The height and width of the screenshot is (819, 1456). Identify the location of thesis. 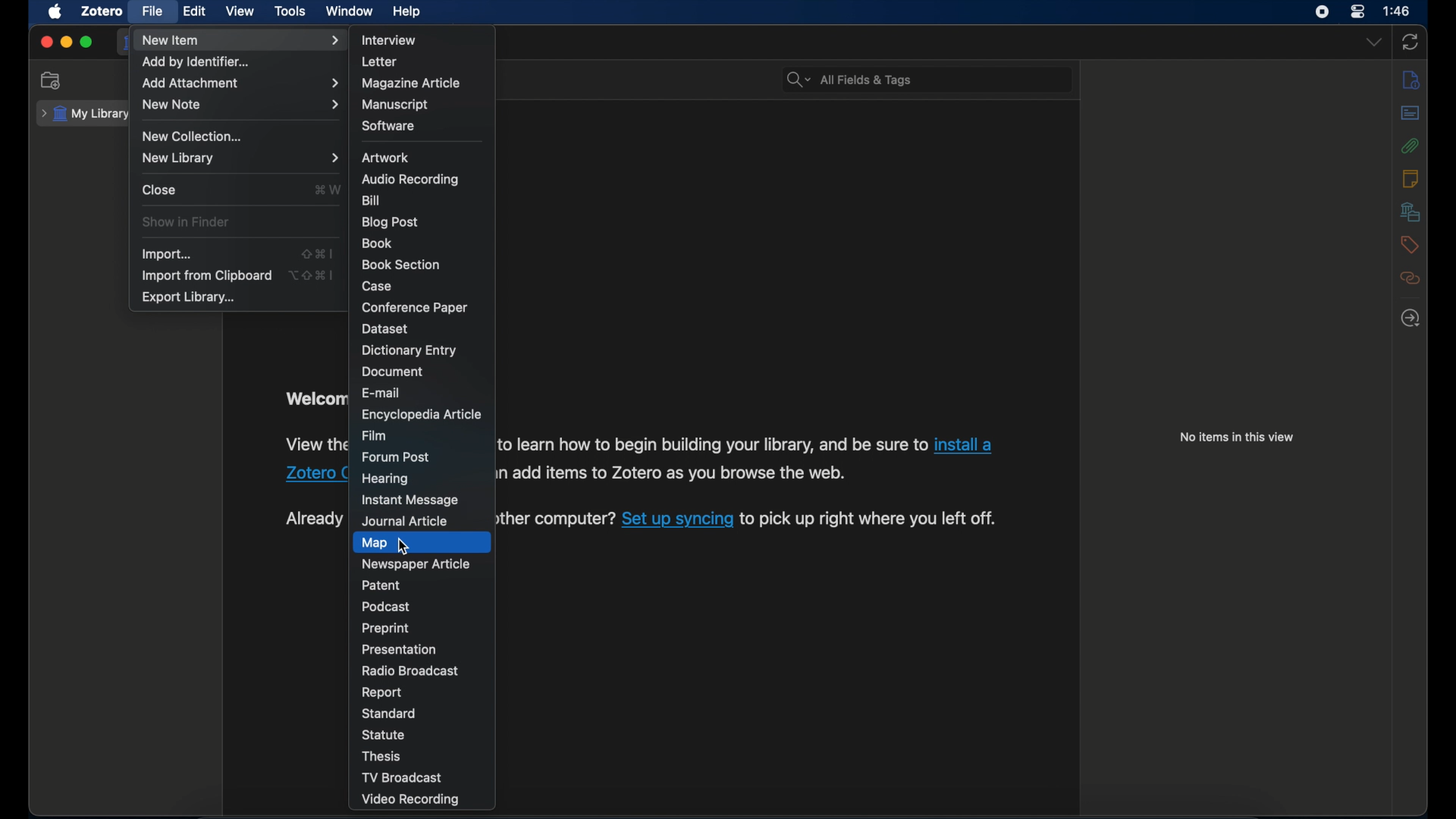
(382, 757).